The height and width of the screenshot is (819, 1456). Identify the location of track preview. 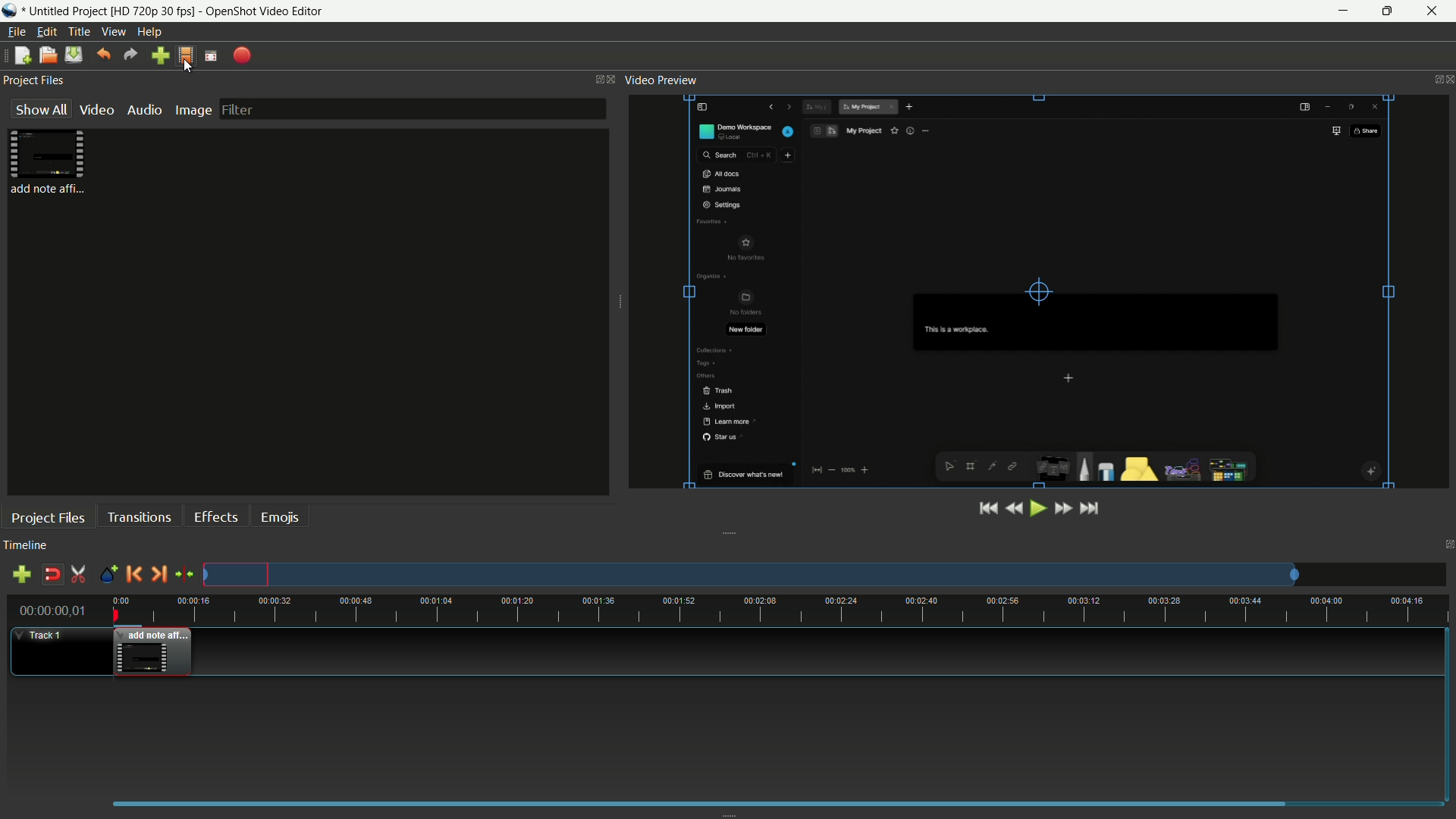
(824, 574).